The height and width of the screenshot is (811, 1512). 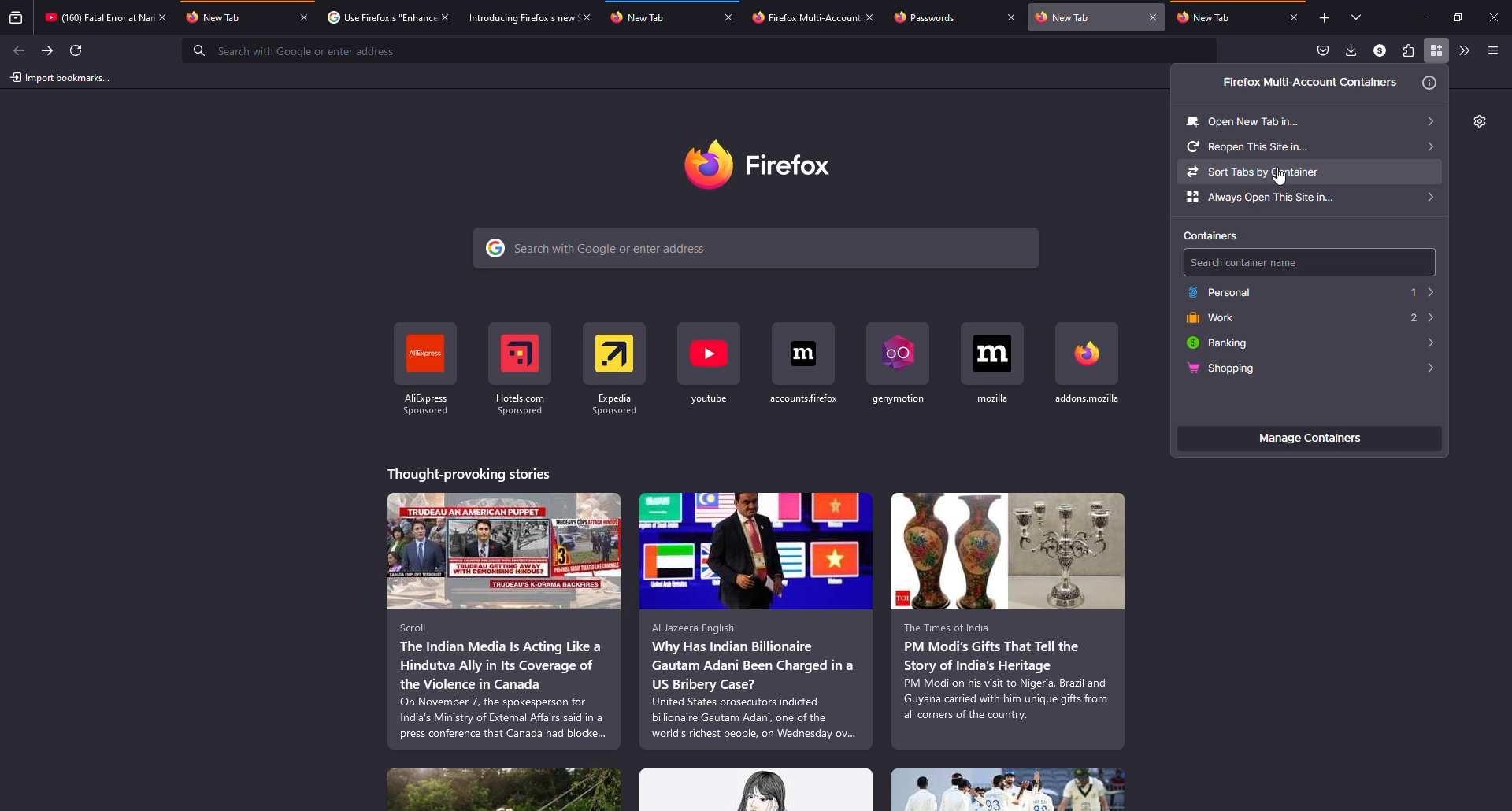 What do you see at coordinates (1220, 343) in the screenshot?
I see `banking` at bounding box center [1220, 343].